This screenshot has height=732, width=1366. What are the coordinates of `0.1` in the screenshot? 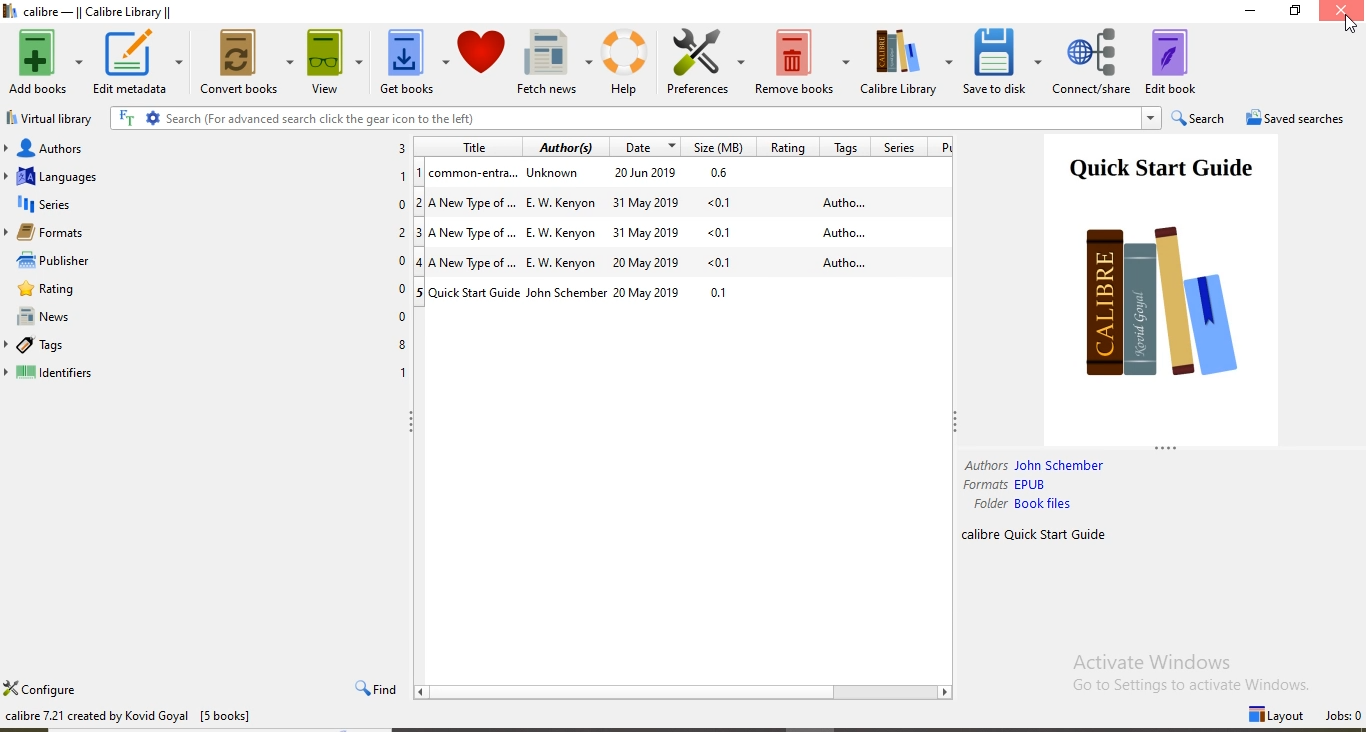 It's located at (725, 291).